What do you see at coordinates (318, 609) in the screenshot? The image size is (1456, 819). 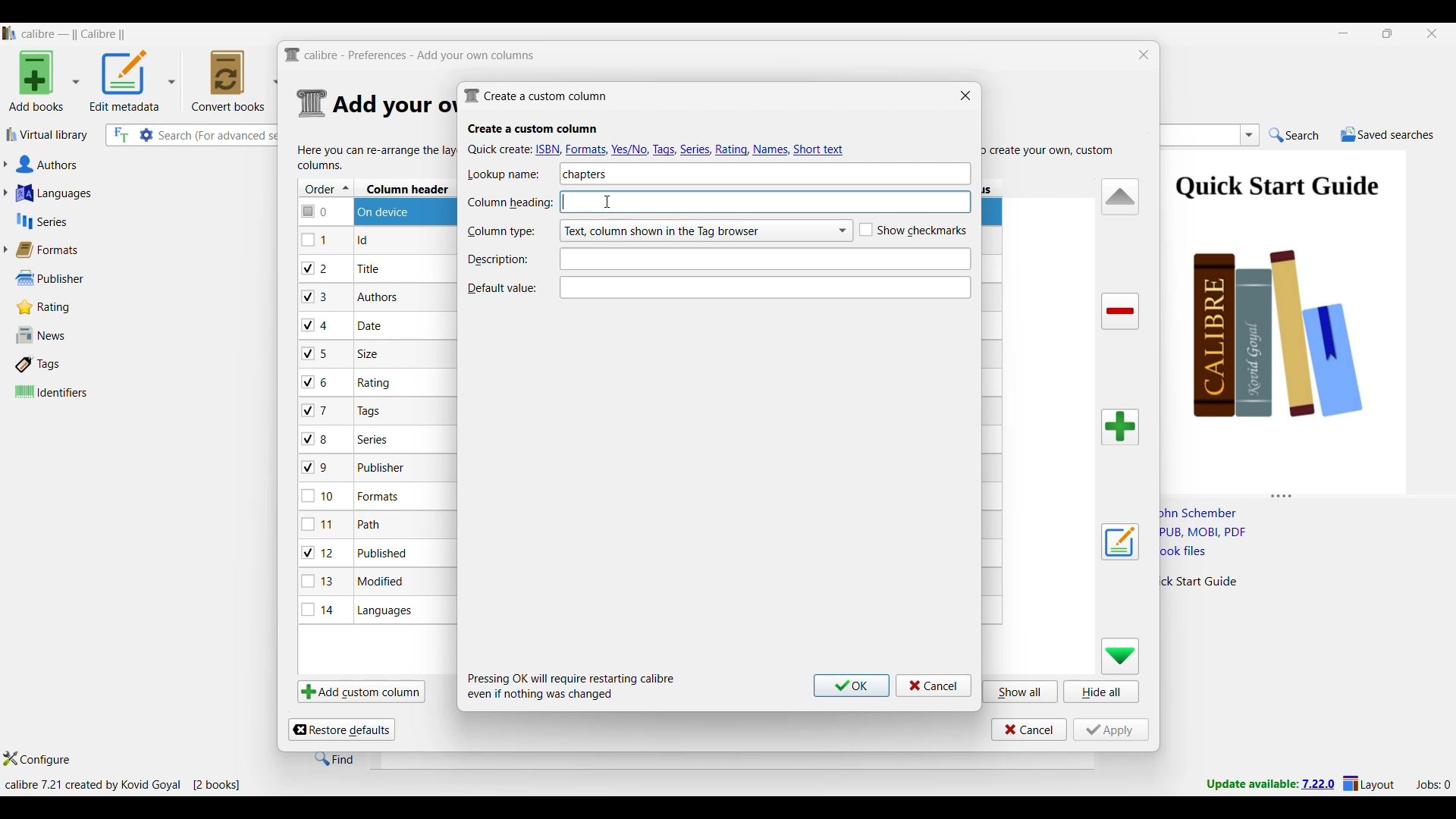 I see `checkbox - 14` at bounding box center [318, 609].